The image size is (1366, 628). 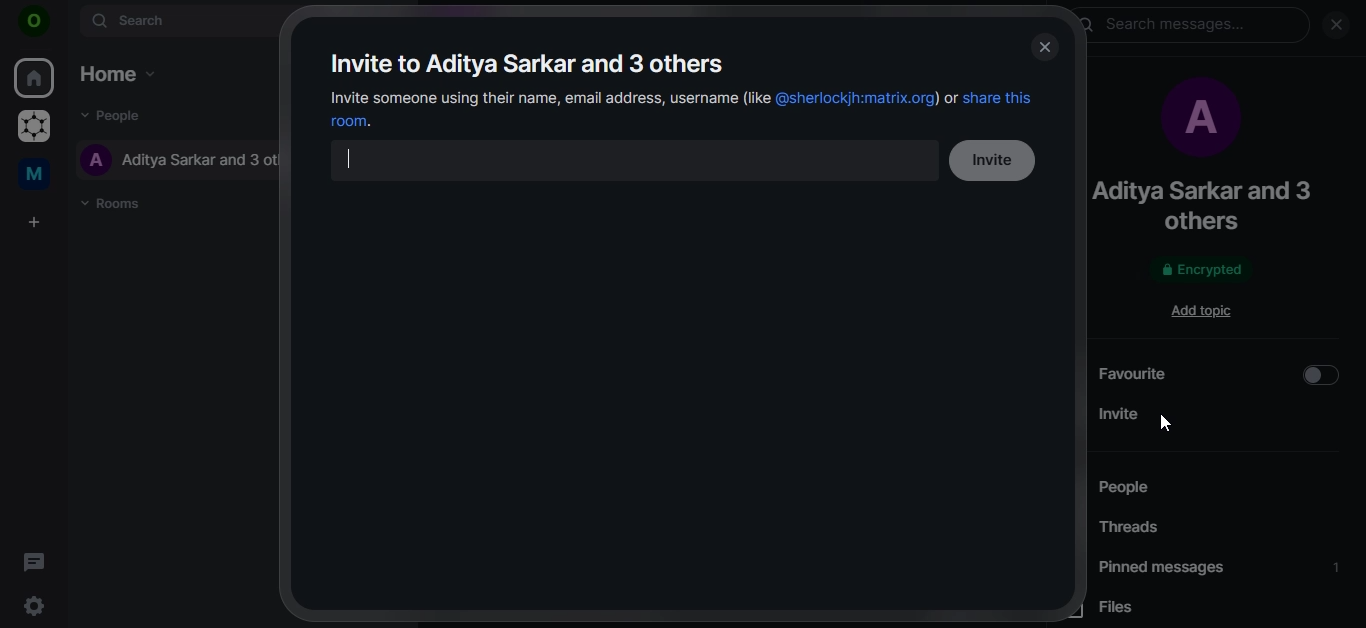 What do you see at coordinates (115, 202) in the screenshot?
I see `rooms` at bounding box center [115, 202].